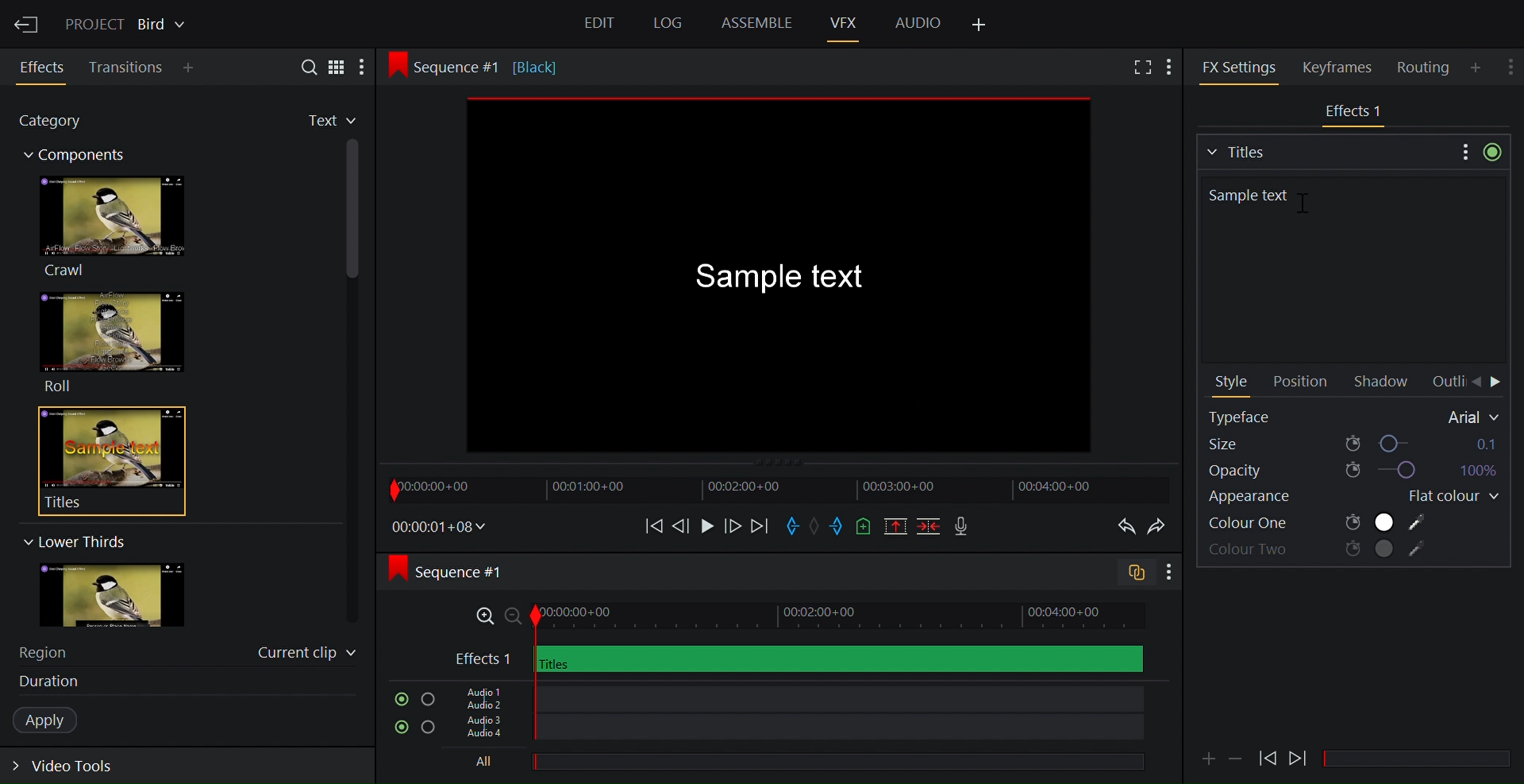 The height and width of the screenshot is (784, 1524). Describe the element at coordinates (817, 525) in the screenshot. I see `Clear marks` at that location.